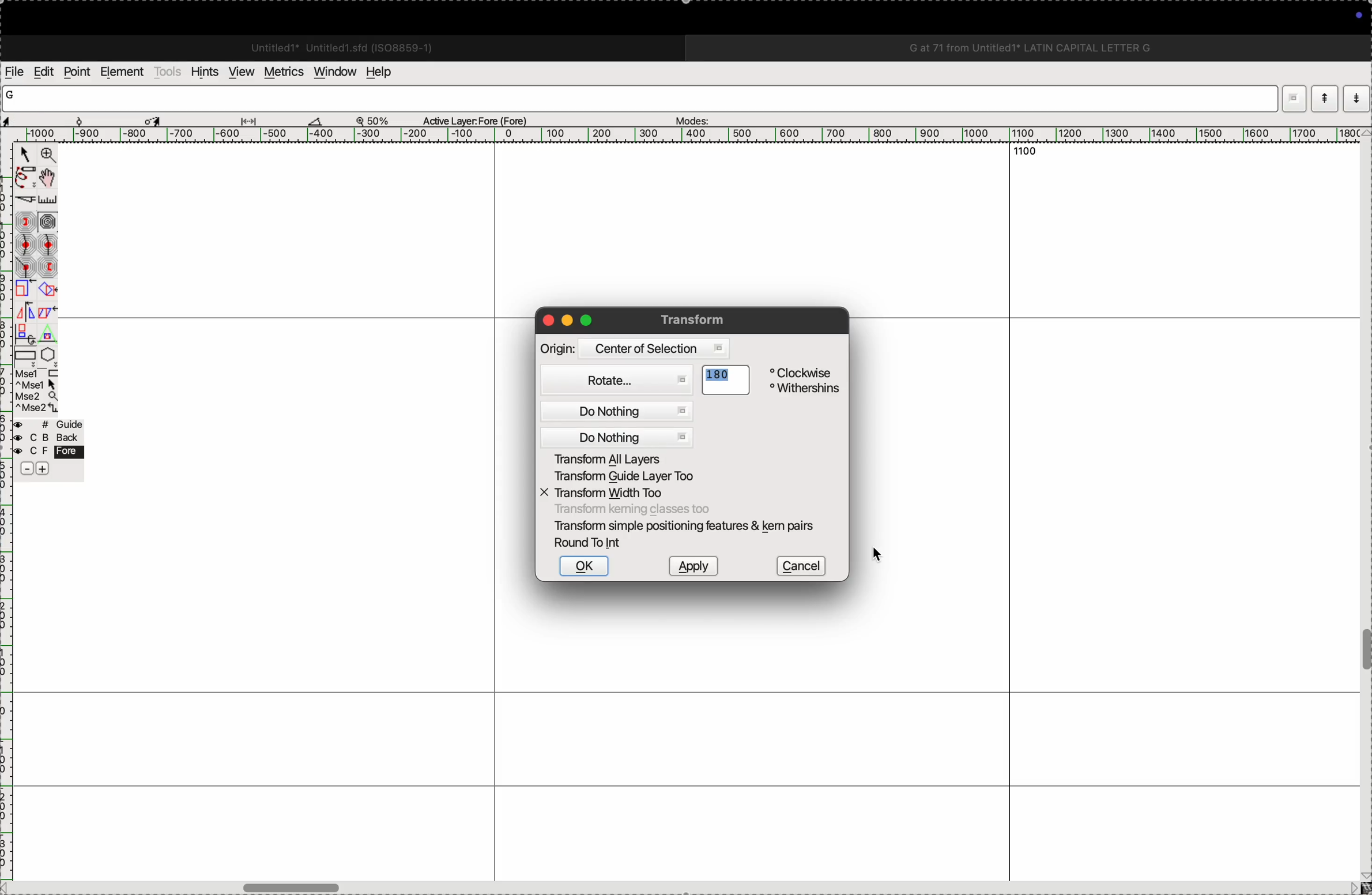  I want to click on Rotate, so click(616, 381).